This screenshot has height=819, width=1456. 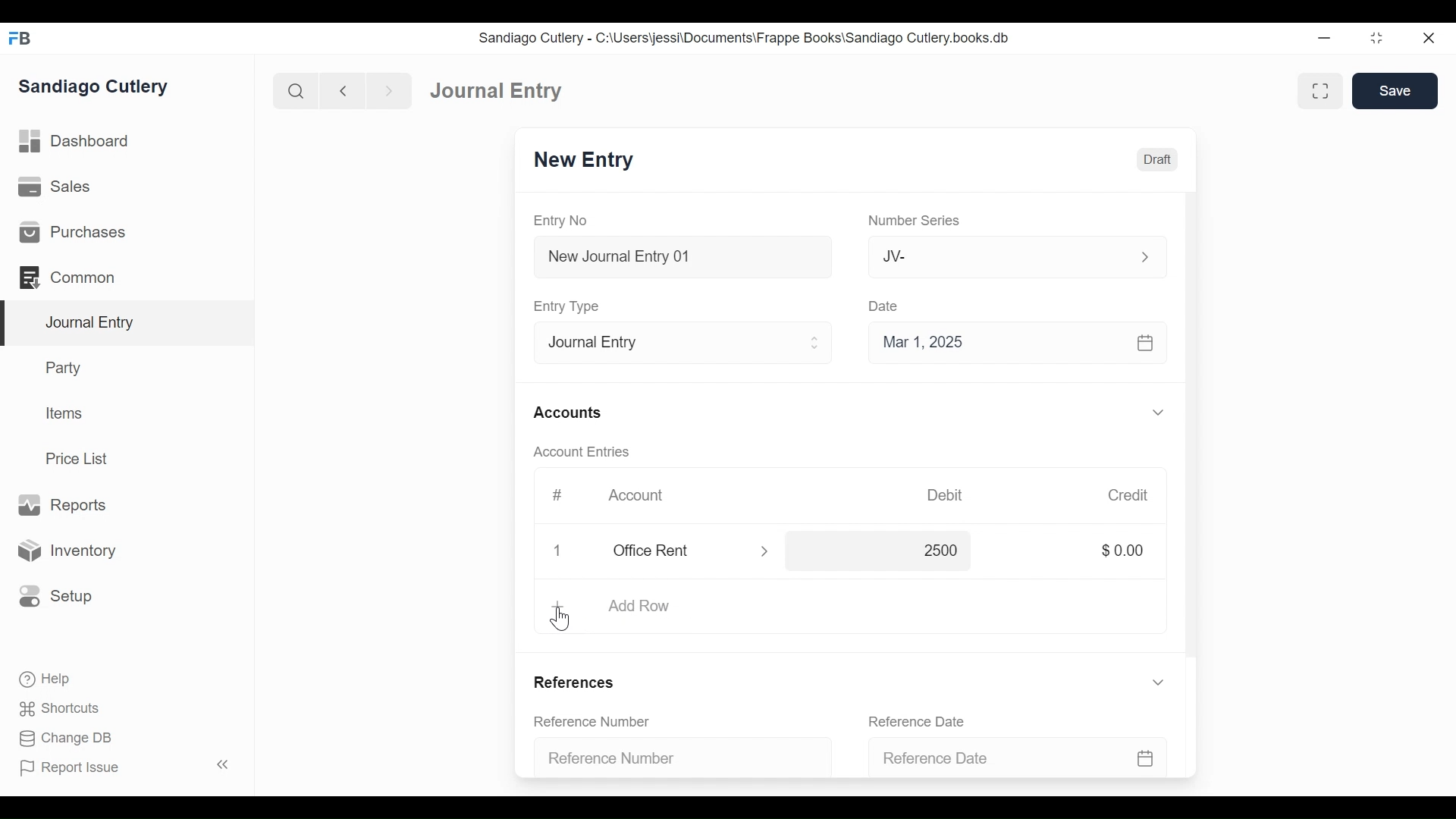 I want to click on cursor, so click(x=563, y=618).